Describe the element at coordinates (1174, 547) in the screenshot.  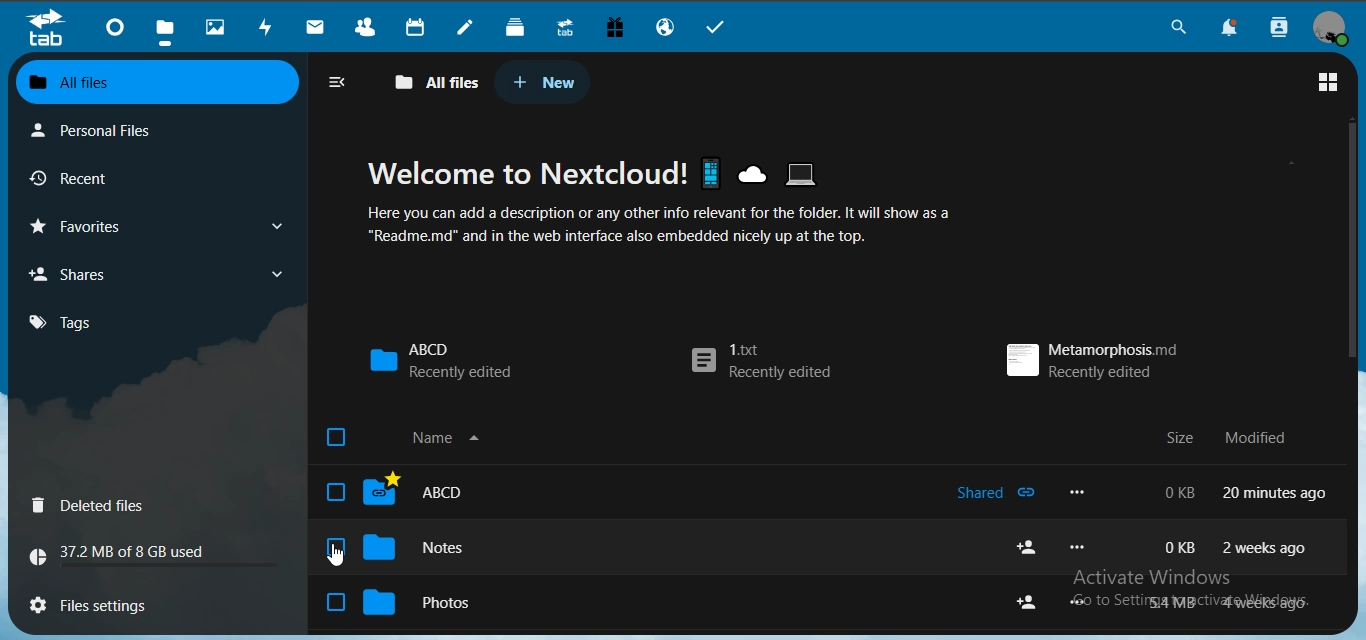
I see `o kb` at that location.